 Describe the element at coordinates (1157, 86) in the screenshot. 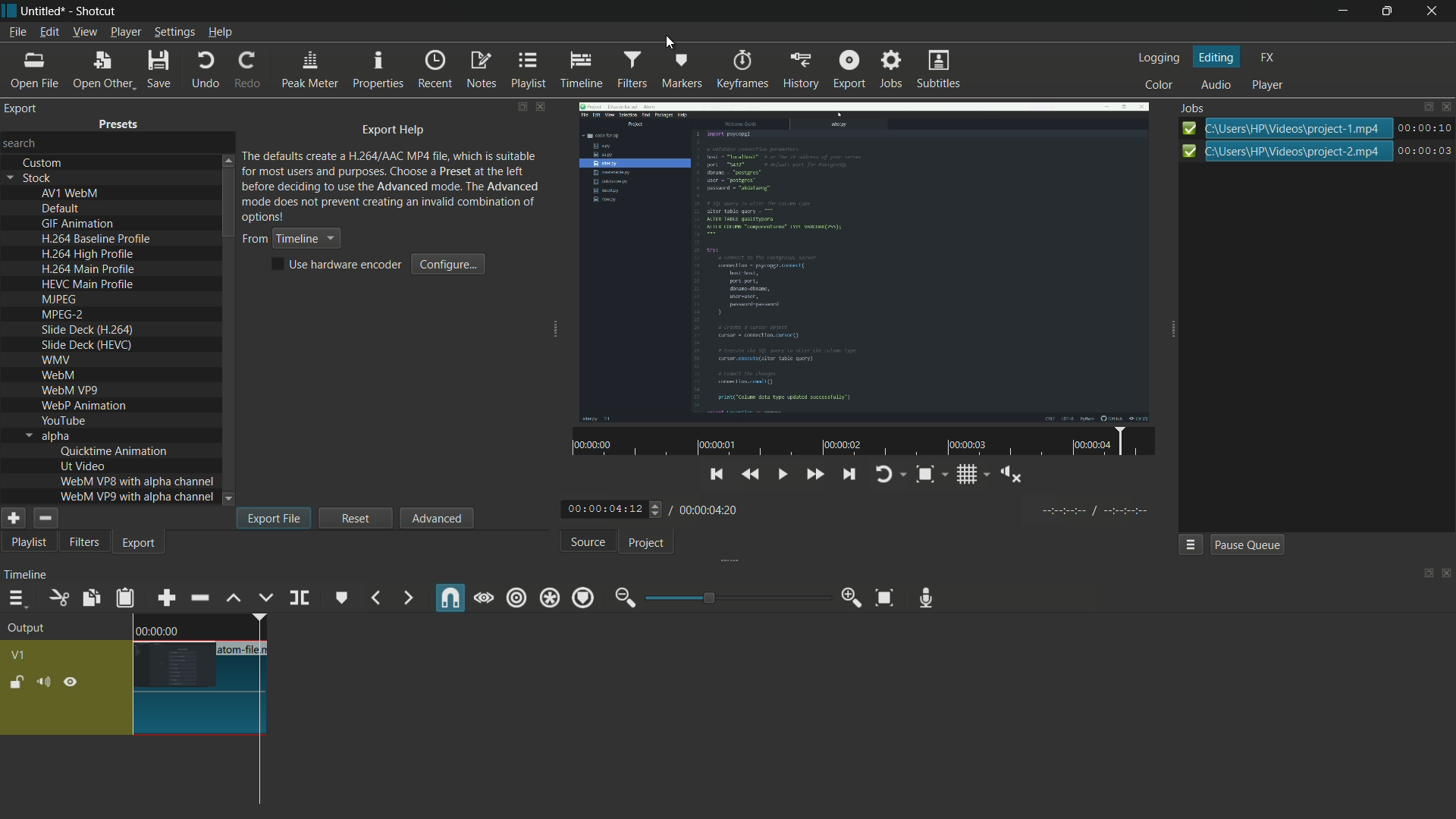

I see `color` at that location.